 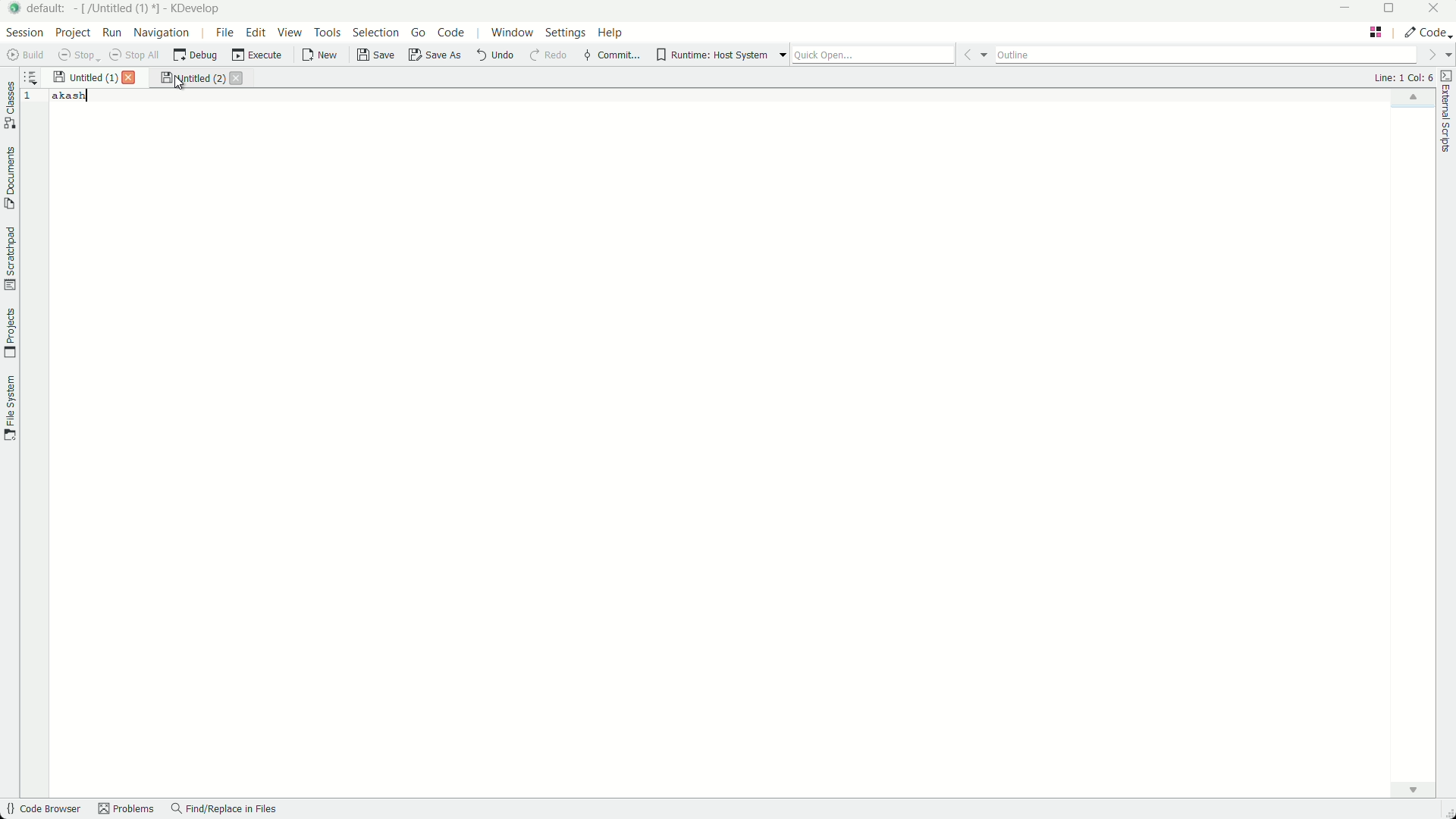 I want to click on navigation menu, so click(x=161, y=33).